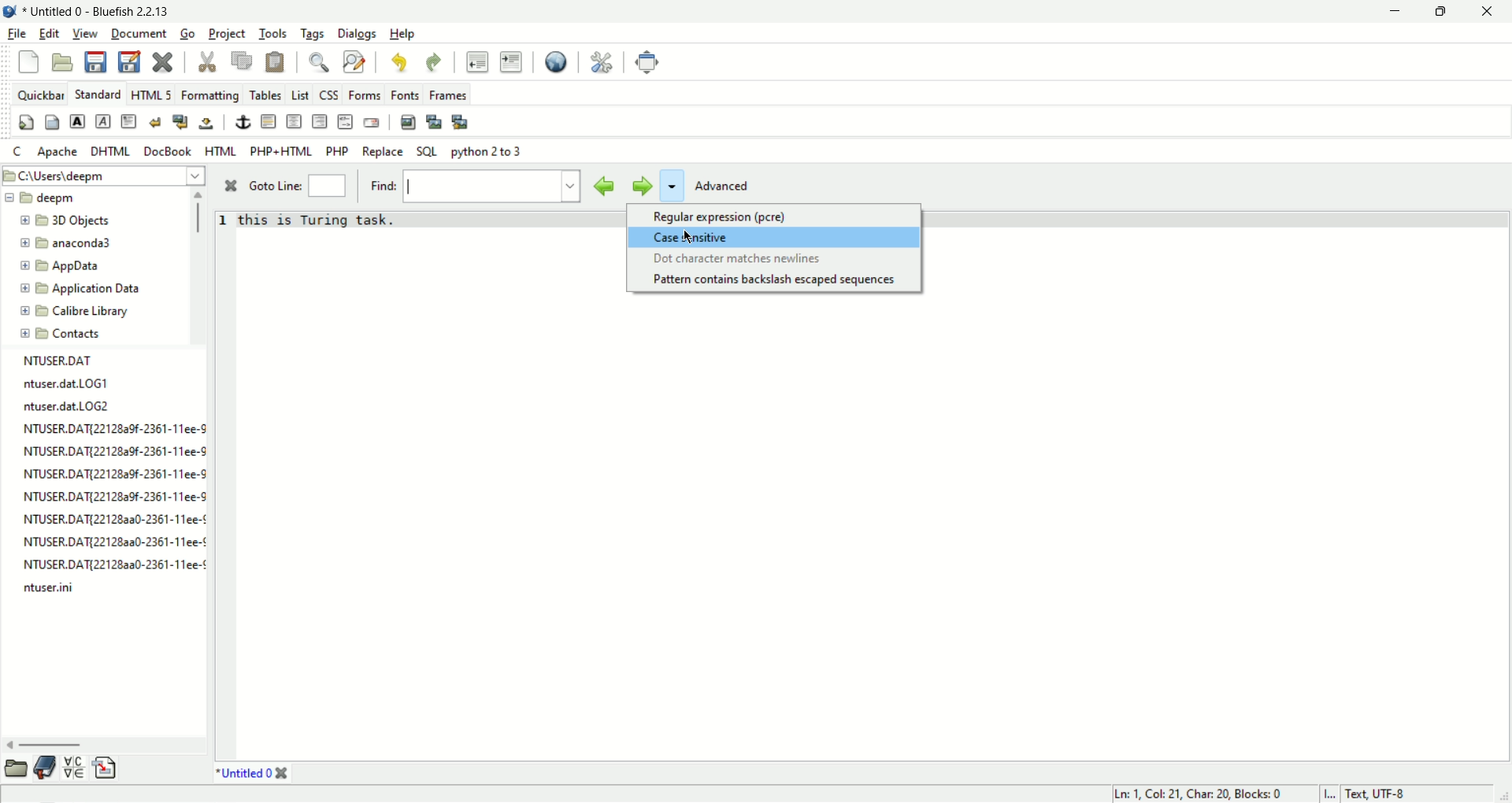 This screenshot has width=1512, height=803. What do you see at coordinates (129, 61) in the screenshot?
I see `save as` at bounding box center [129, 61].